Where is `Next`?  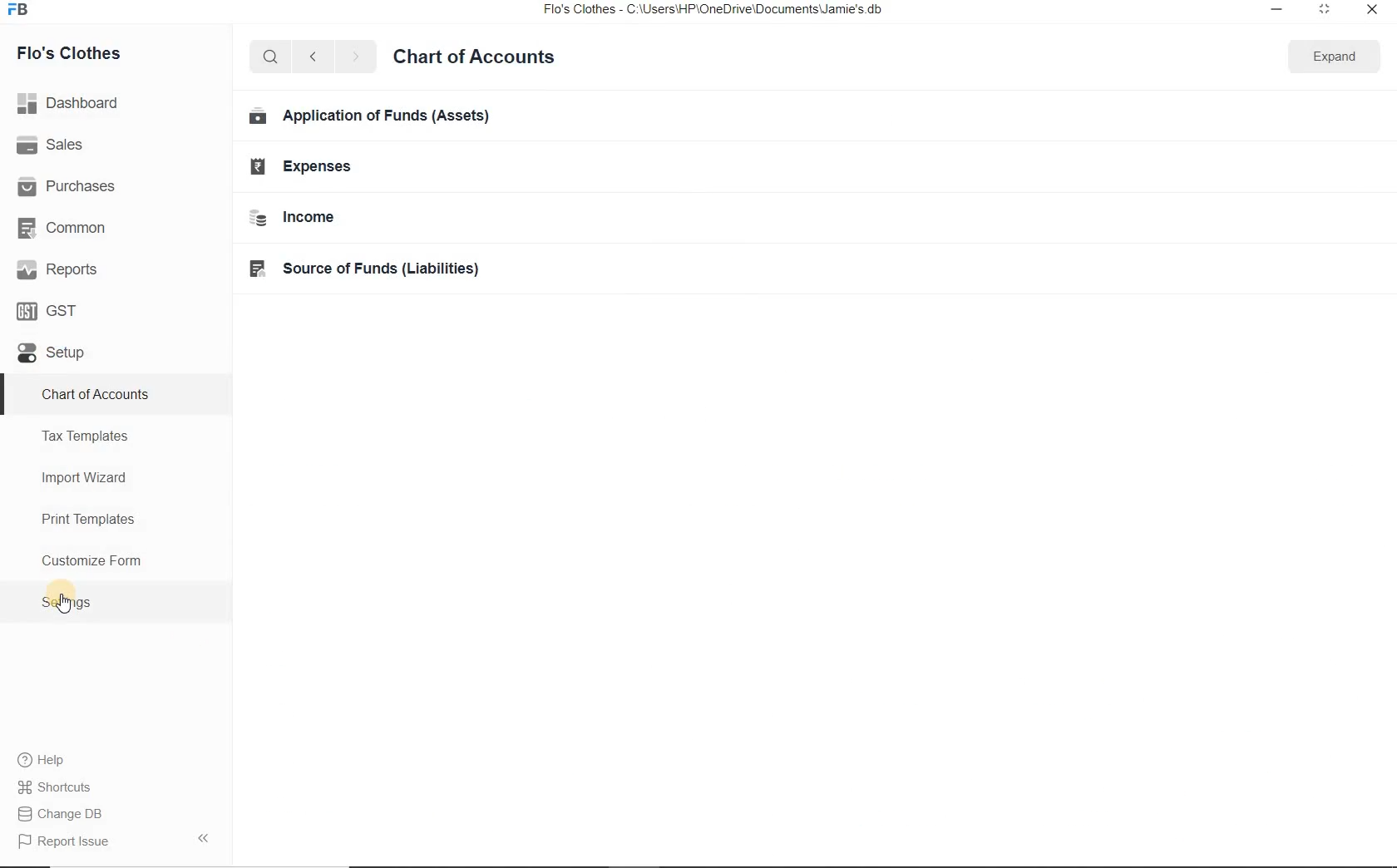
Next is located at coordinates (355, 57).